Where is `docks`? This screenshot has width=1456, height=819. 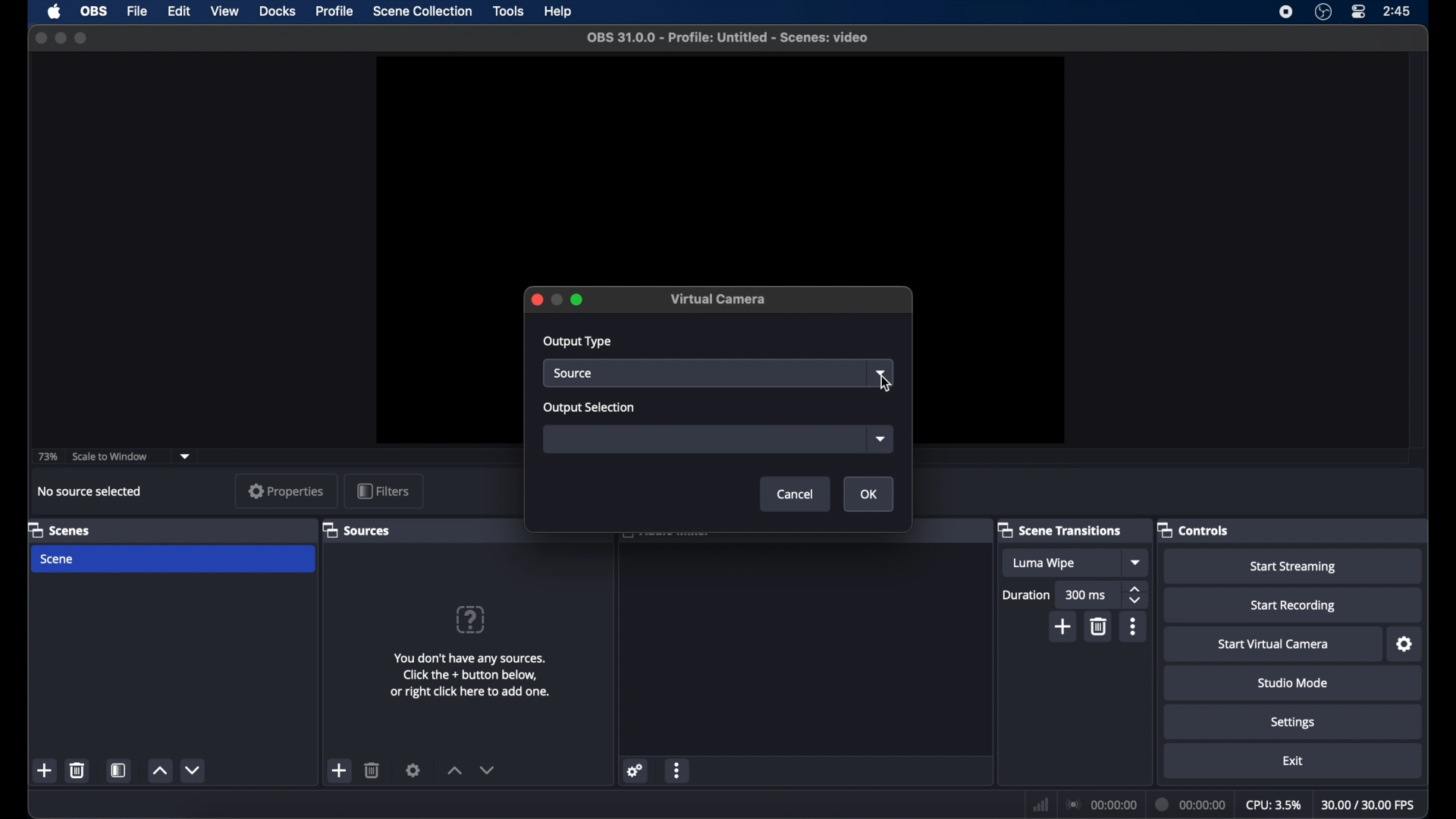 docks is located at coordinates (278, 12).